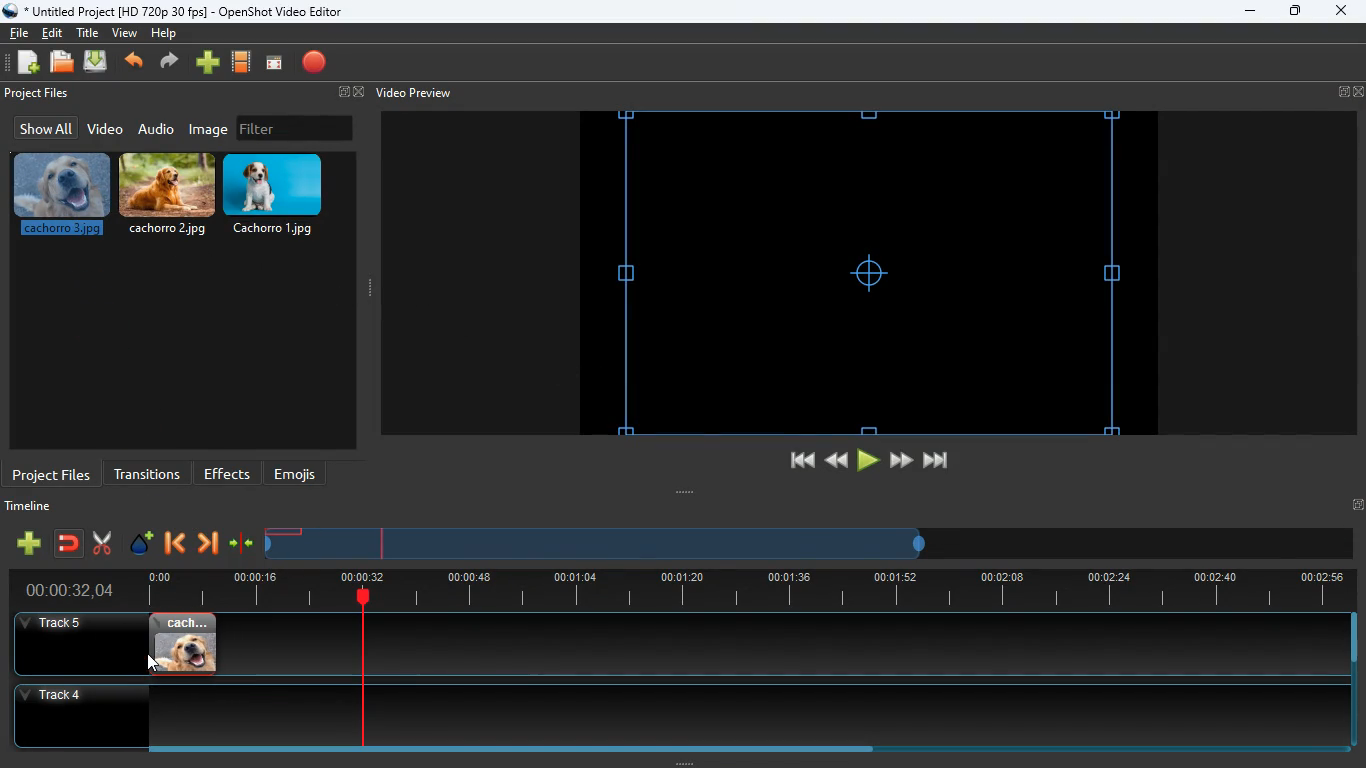 This screenshot has width=1366, height=768. What do you see at coordinates (98, 63) in the screenshot?
I see `upload` at bounding box center [98, 63].